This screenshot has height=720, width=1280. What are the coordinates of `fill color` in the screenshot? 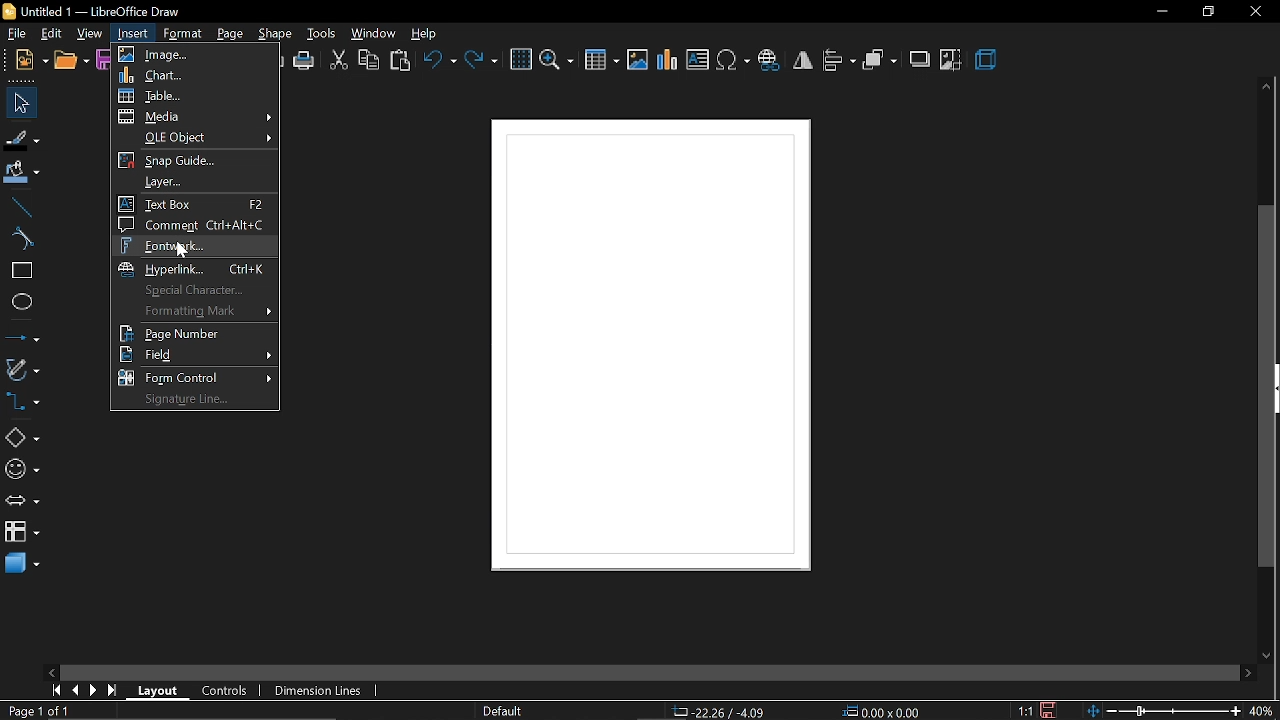 It's located at (21, 172).